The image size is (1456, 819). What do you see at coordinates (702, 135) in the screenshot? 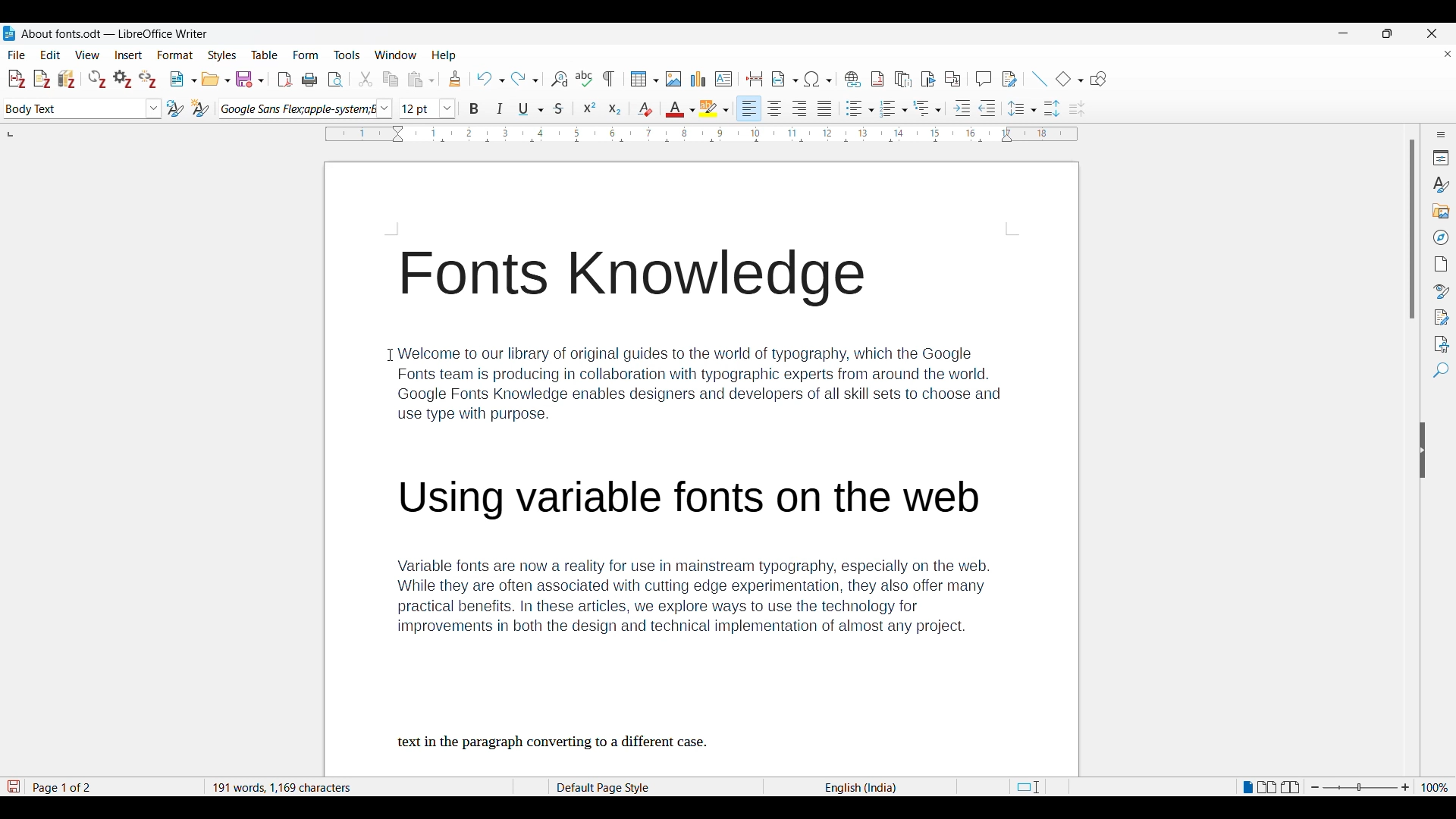
I see `Horizontal scale` at bounding box center [702, 135].